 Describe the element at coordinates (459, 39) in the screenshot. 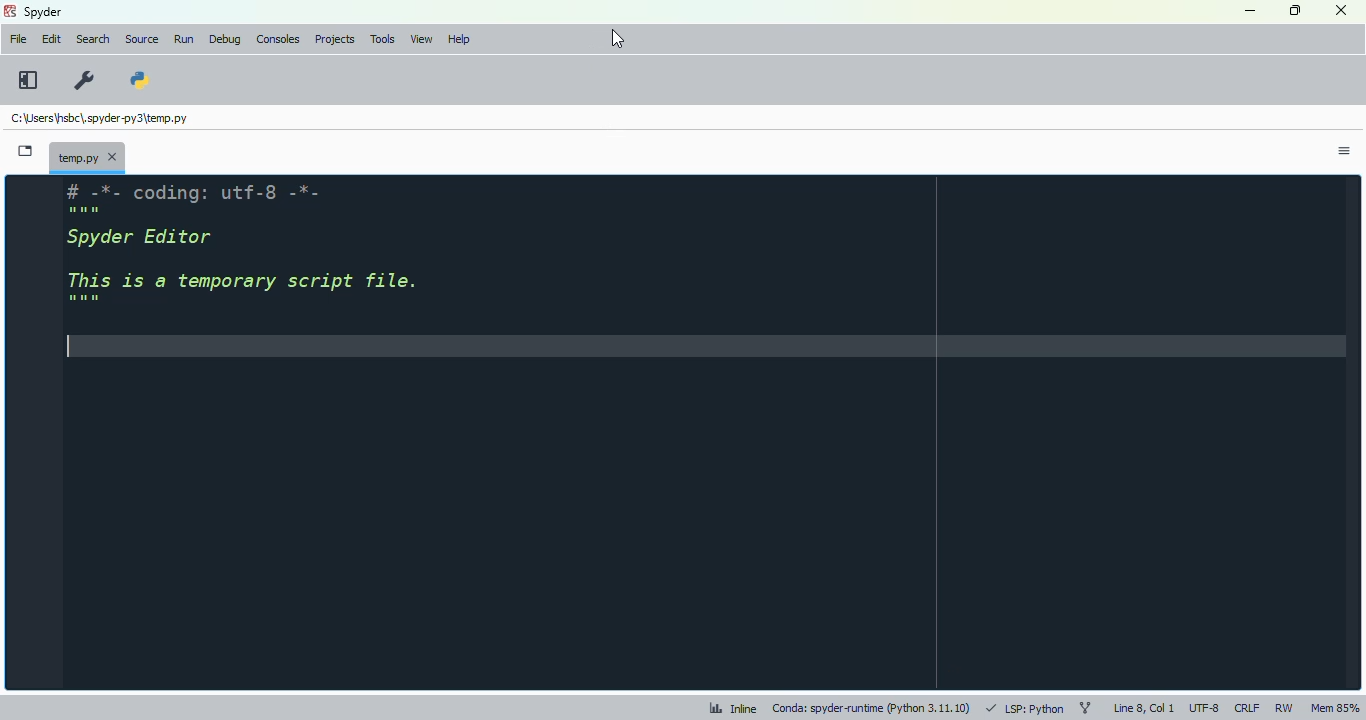

I see `help` at that location.